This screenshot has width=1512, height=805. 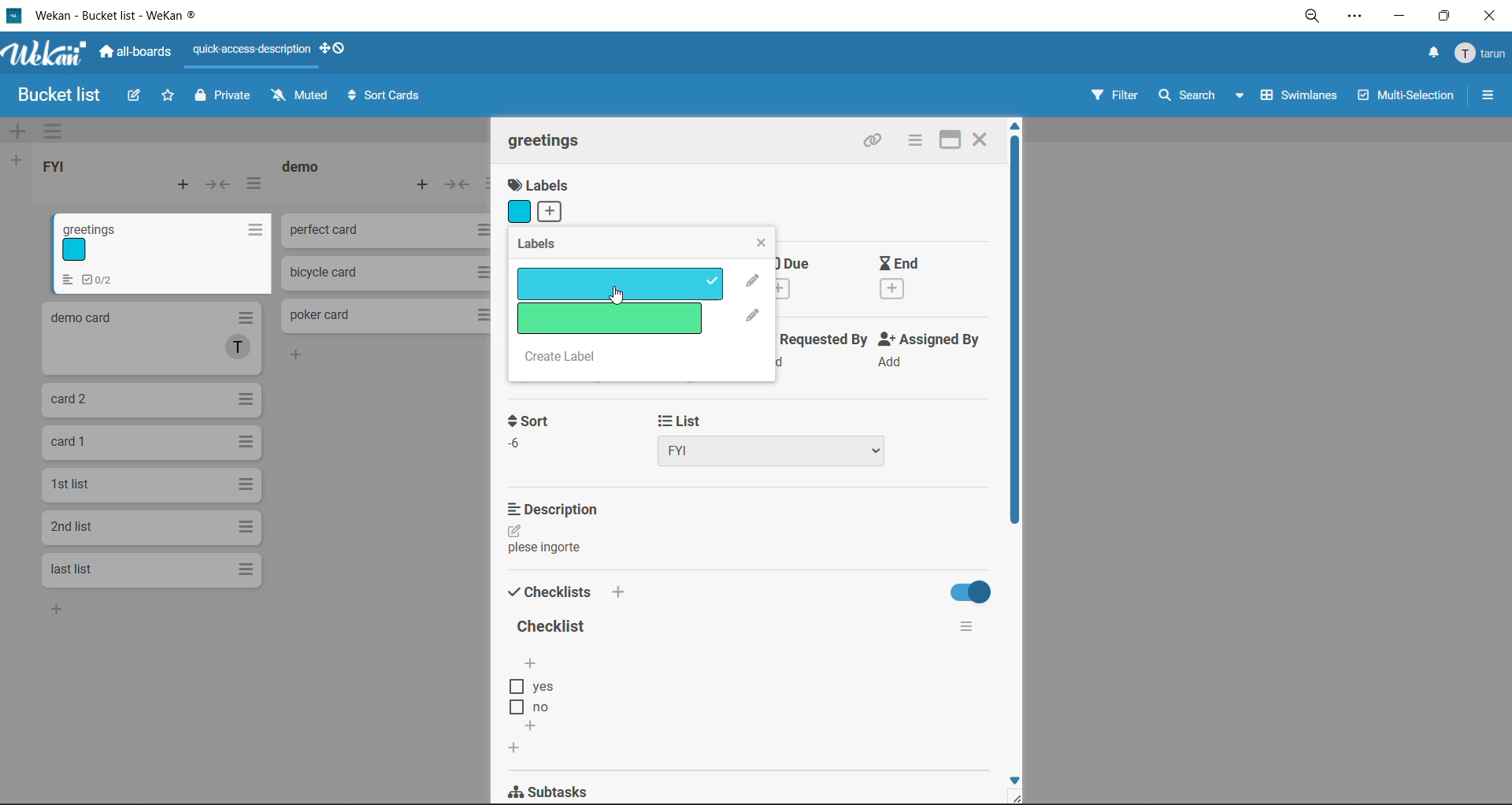 What do you see at coordinates (334, 50) in the screenshot?
I see `show desktop drag handles` at bounding box center [334, 50].